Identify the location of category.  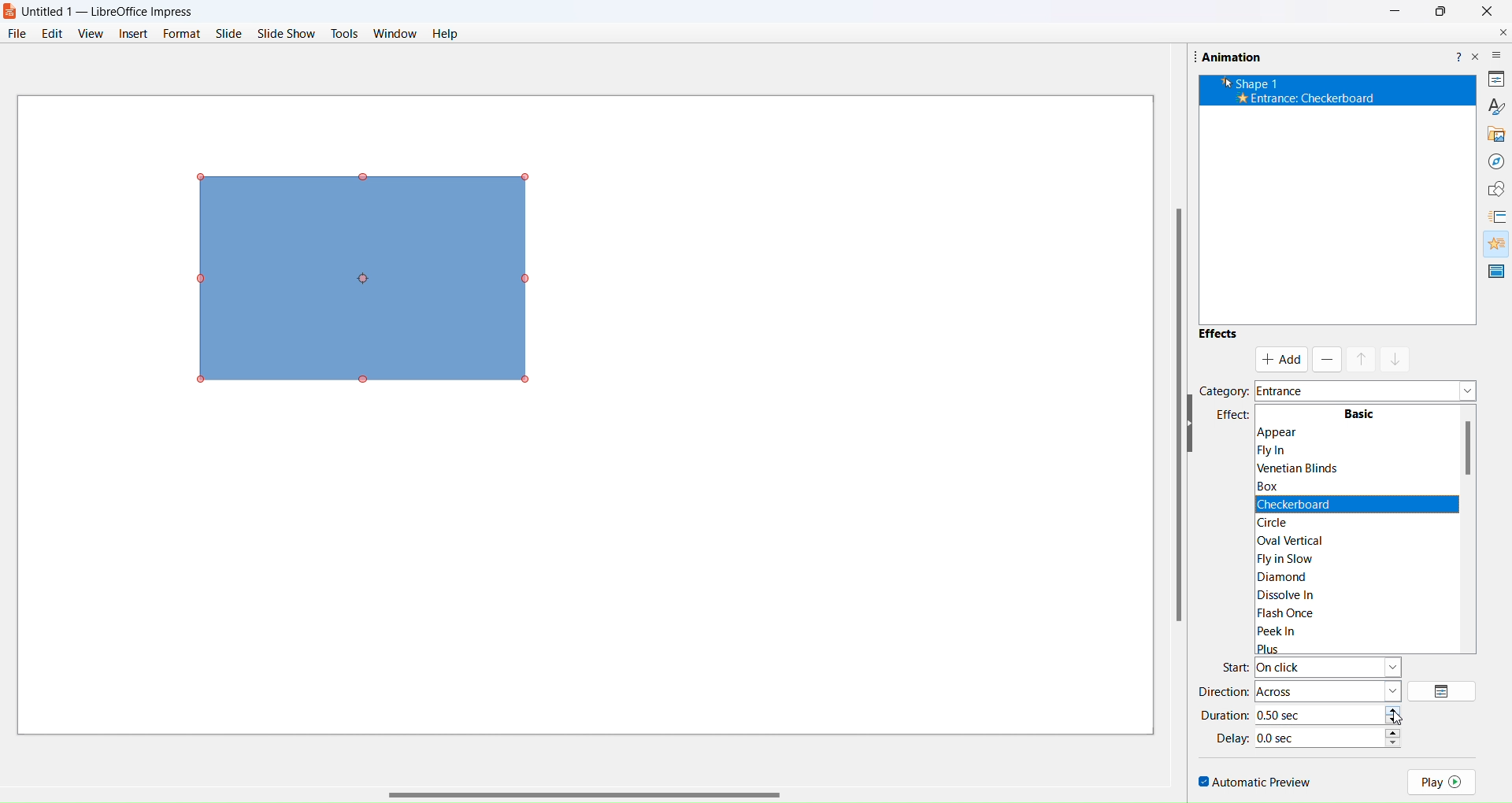
(1224, 390).